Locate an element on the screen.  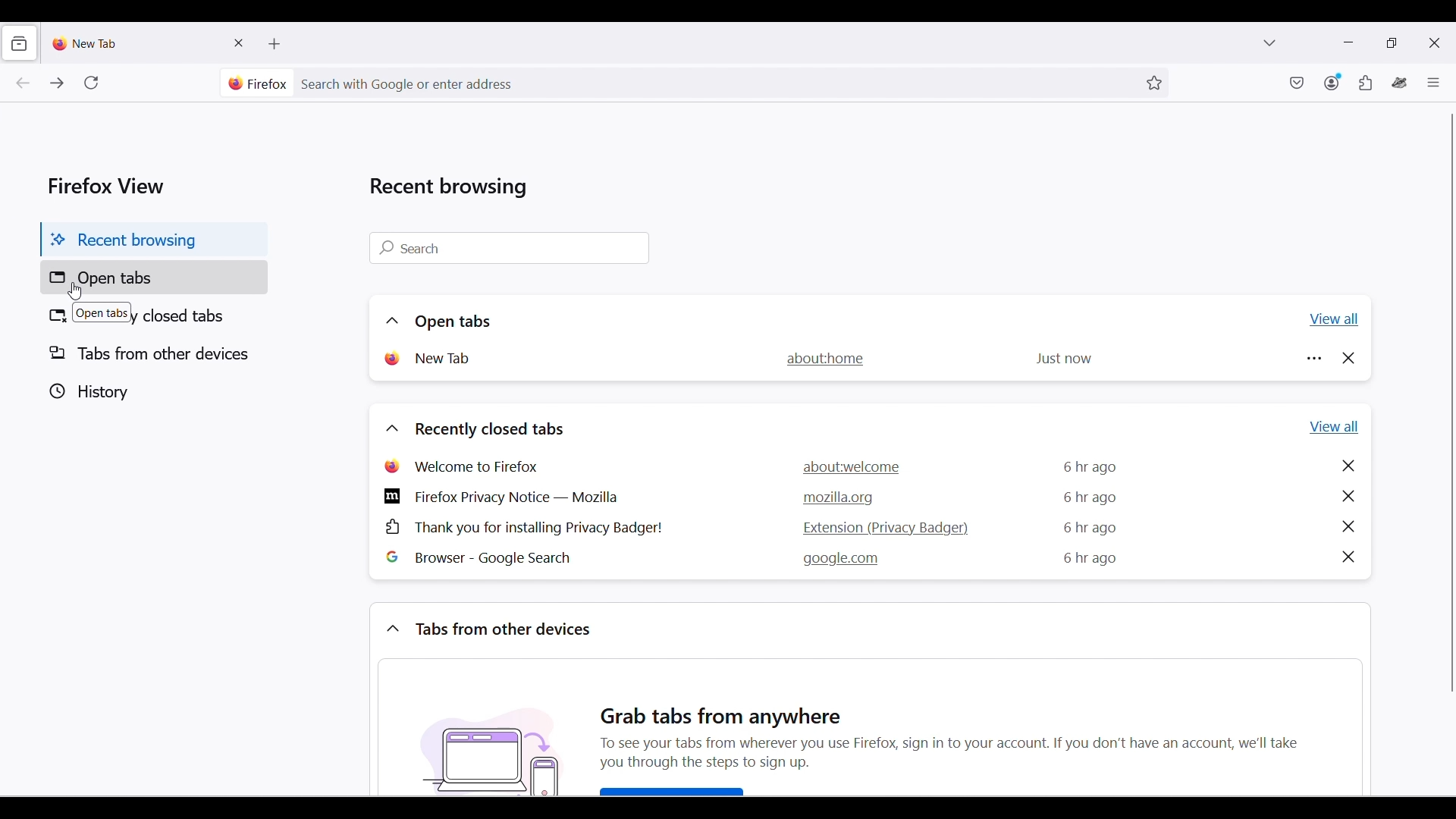
Current tab is located at coordinates (137, 42).